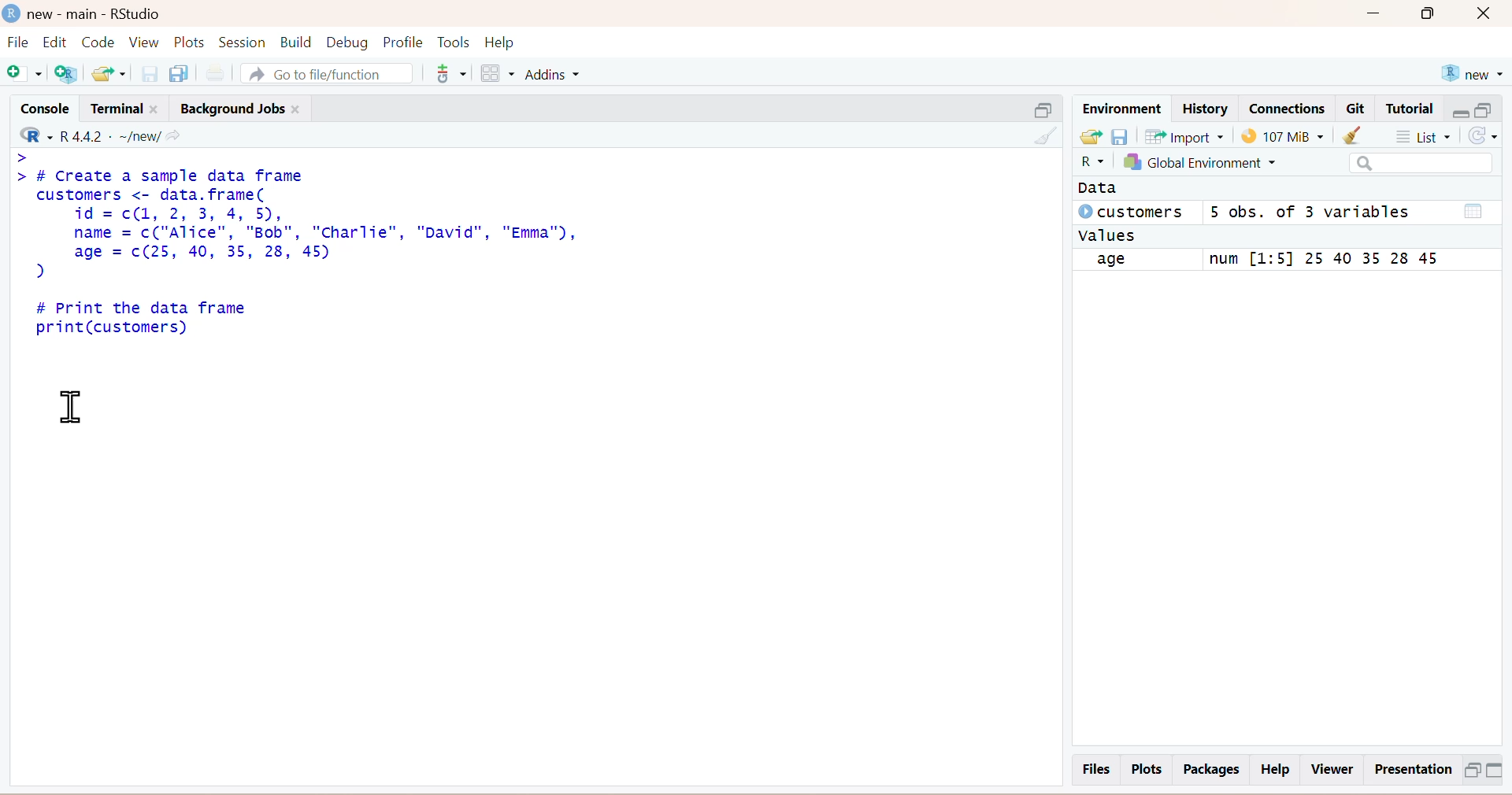  Describe the element at coordinates (1277, 213) in the screenshot. I see `© customers 5 obs. of 3 variables` at that location.